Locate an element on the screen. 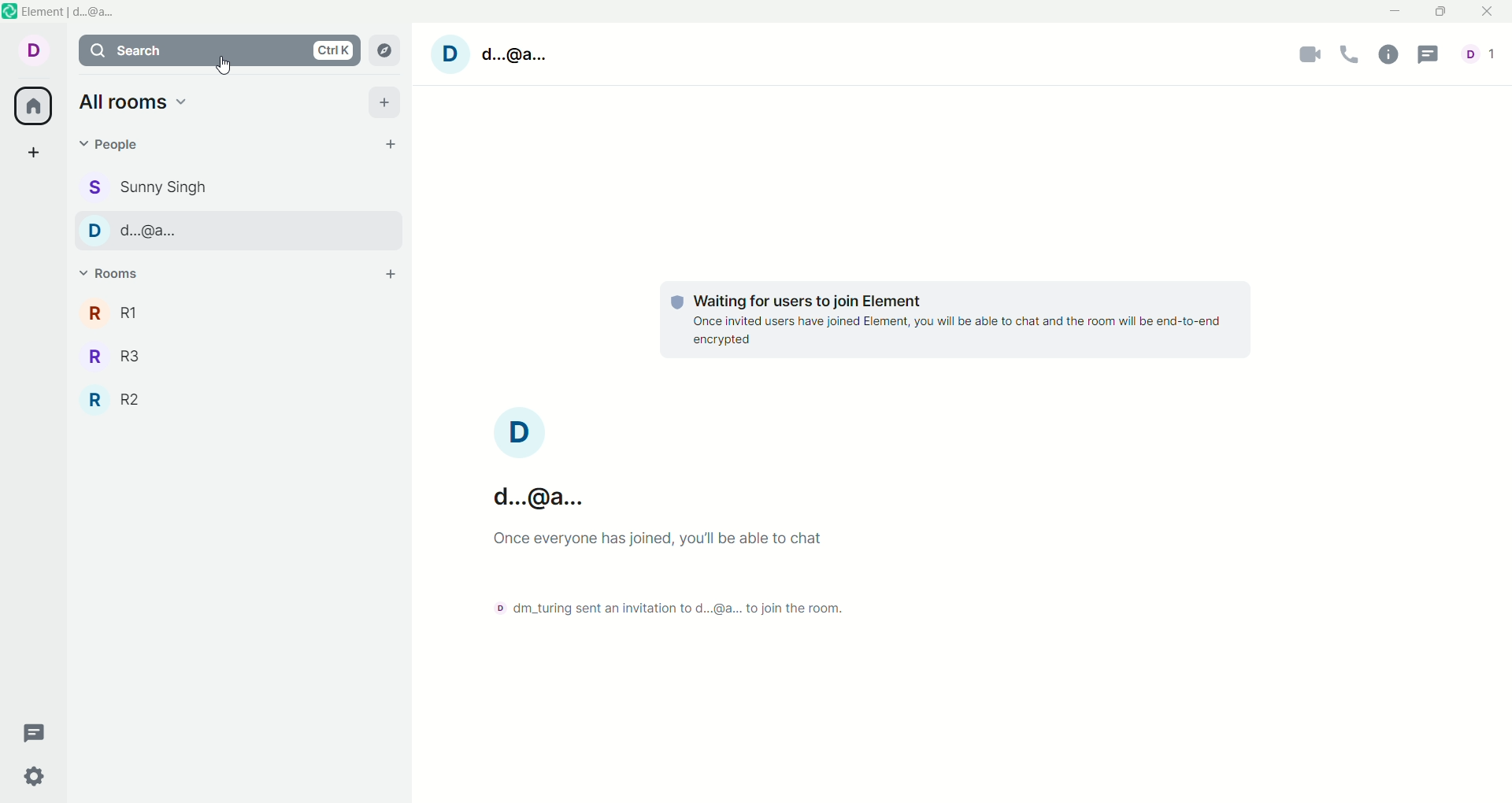 This screenshot has width=1512, height=803. settings is located at coordinates (32, 778).